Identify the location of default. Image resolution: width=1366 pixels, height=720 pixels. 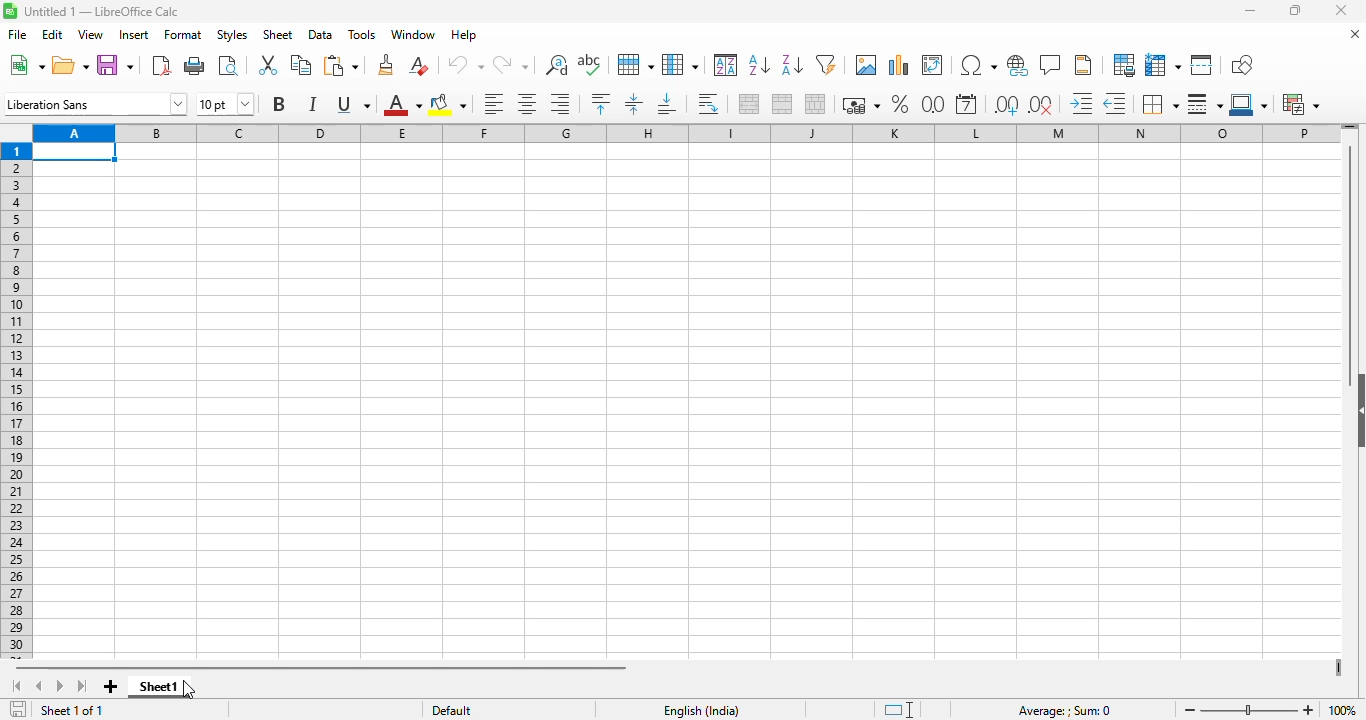
(451, 710).